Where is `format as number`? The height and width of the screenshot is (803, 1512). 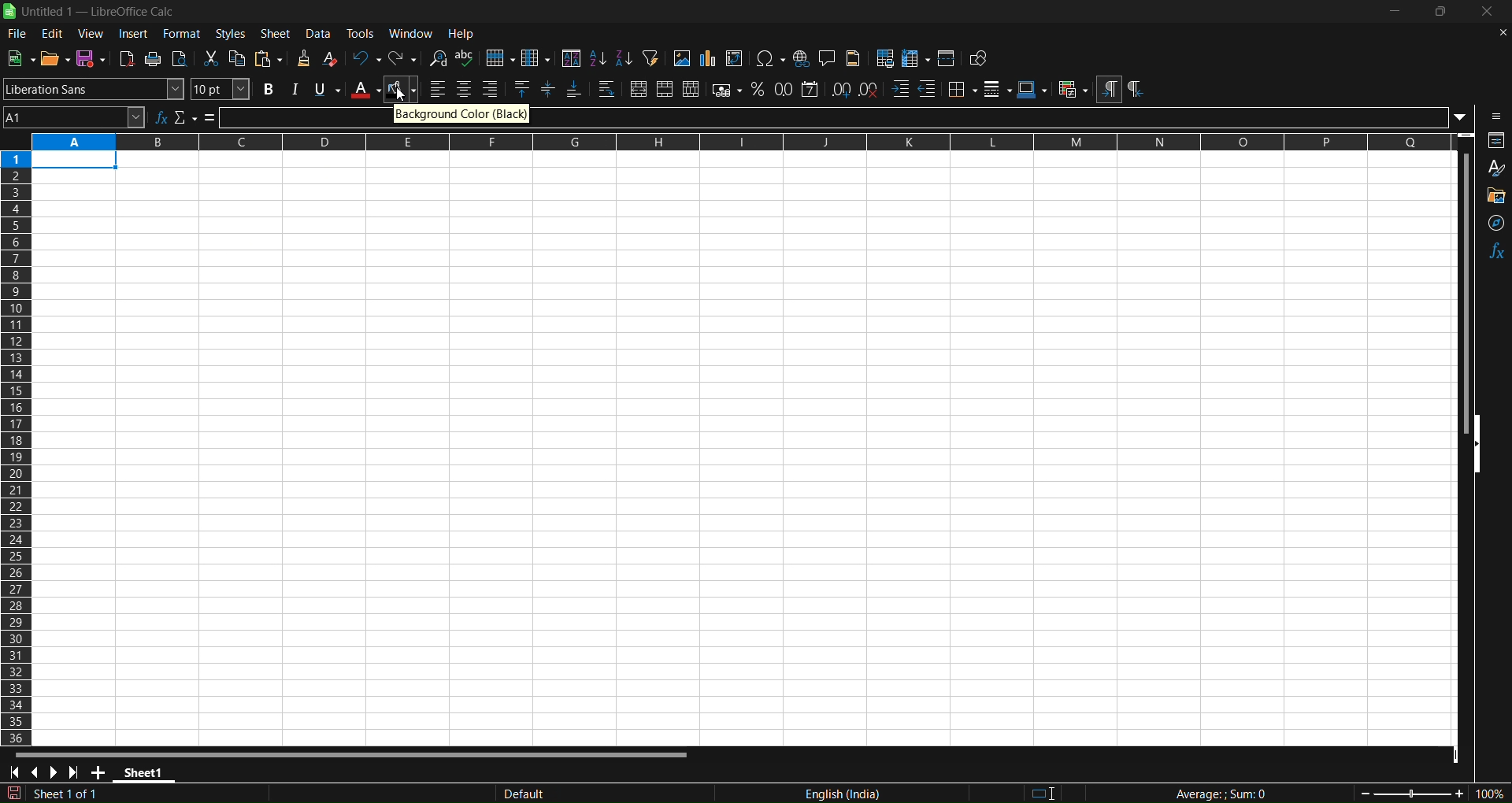 format as number is located at coordinates (785, 90).